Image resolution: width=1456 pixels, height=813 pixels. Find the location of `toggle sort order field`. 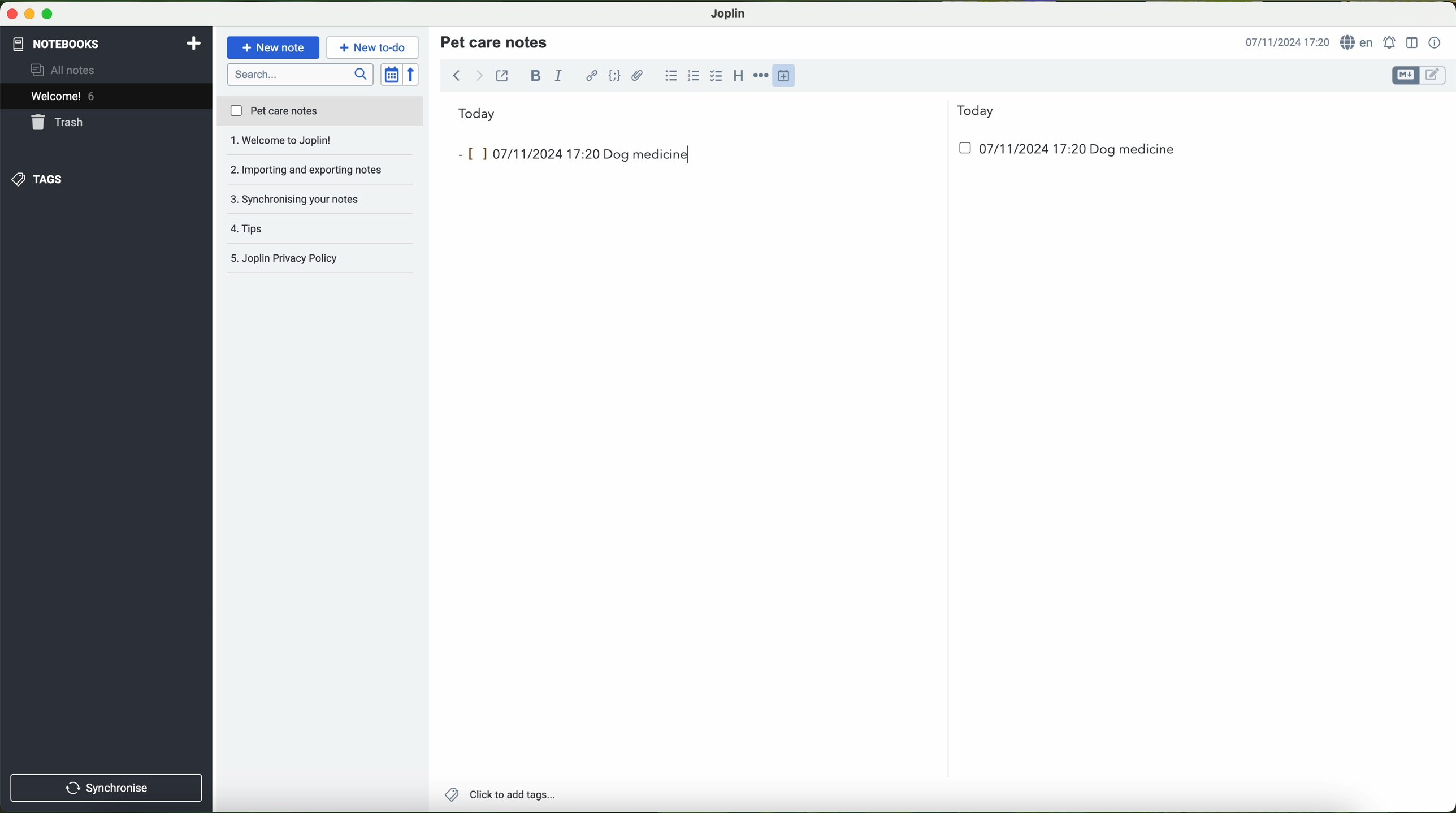

toggle sort order field is located at coordinates (392, 75).